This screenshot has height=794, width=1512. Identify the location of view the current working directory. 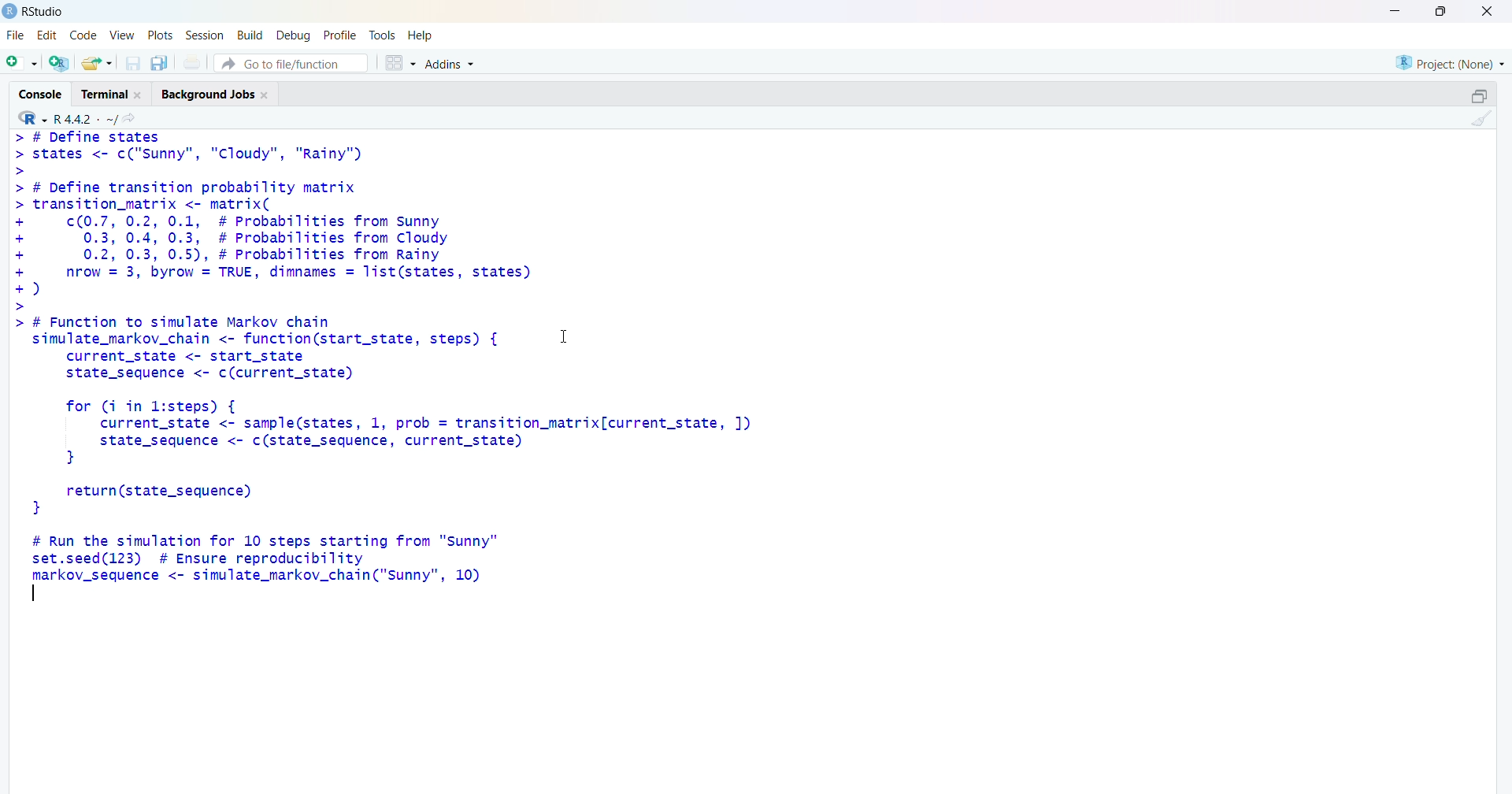
(134, 118).